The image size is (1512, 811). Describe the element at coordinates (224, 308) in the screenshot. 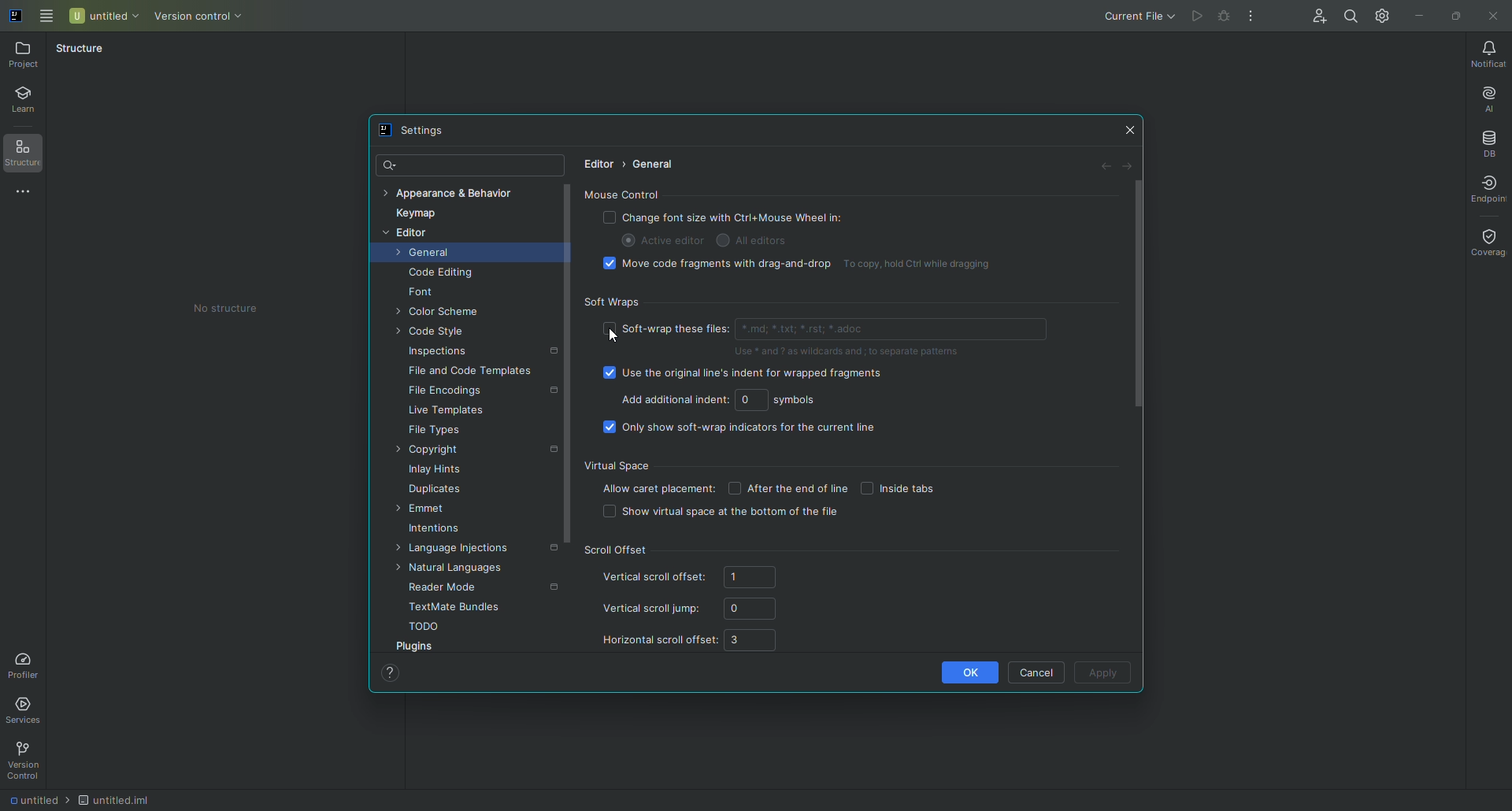

I see `No structure` at that location.